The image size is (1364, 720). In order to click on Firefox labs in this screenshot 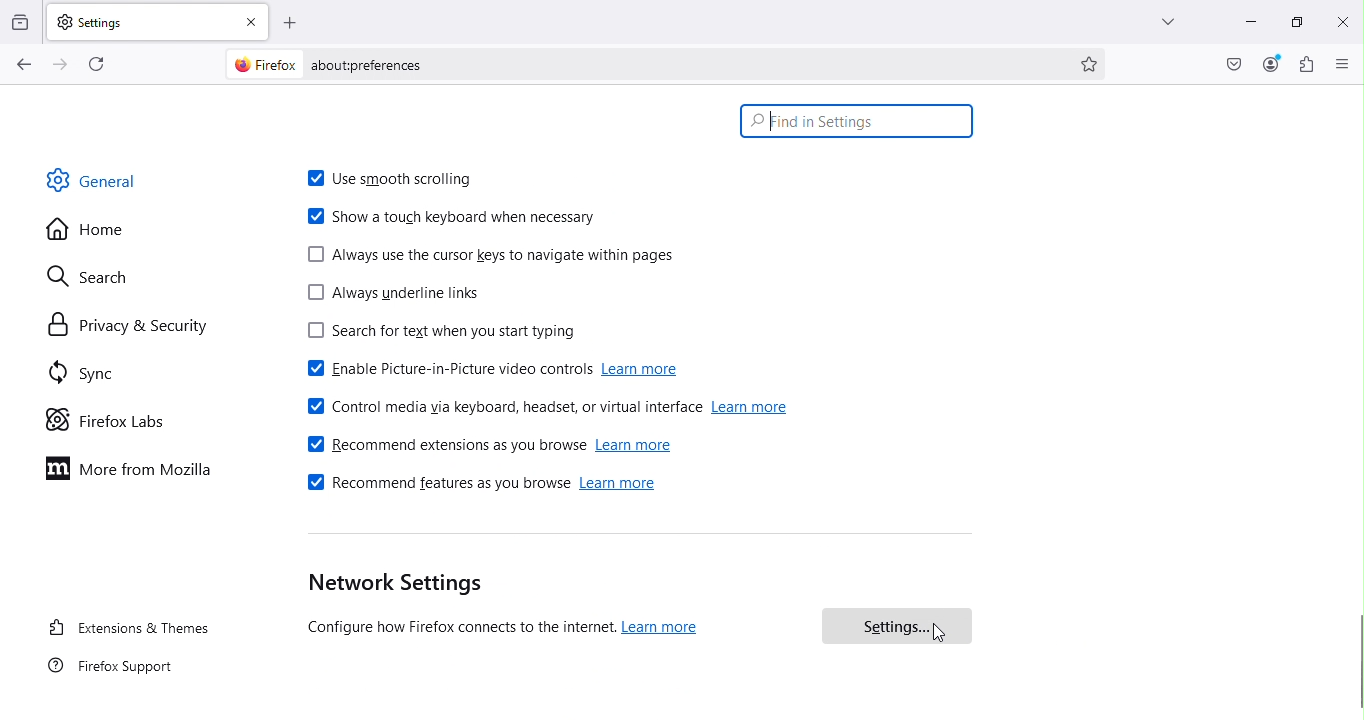, I will do `click(108, 421)`.